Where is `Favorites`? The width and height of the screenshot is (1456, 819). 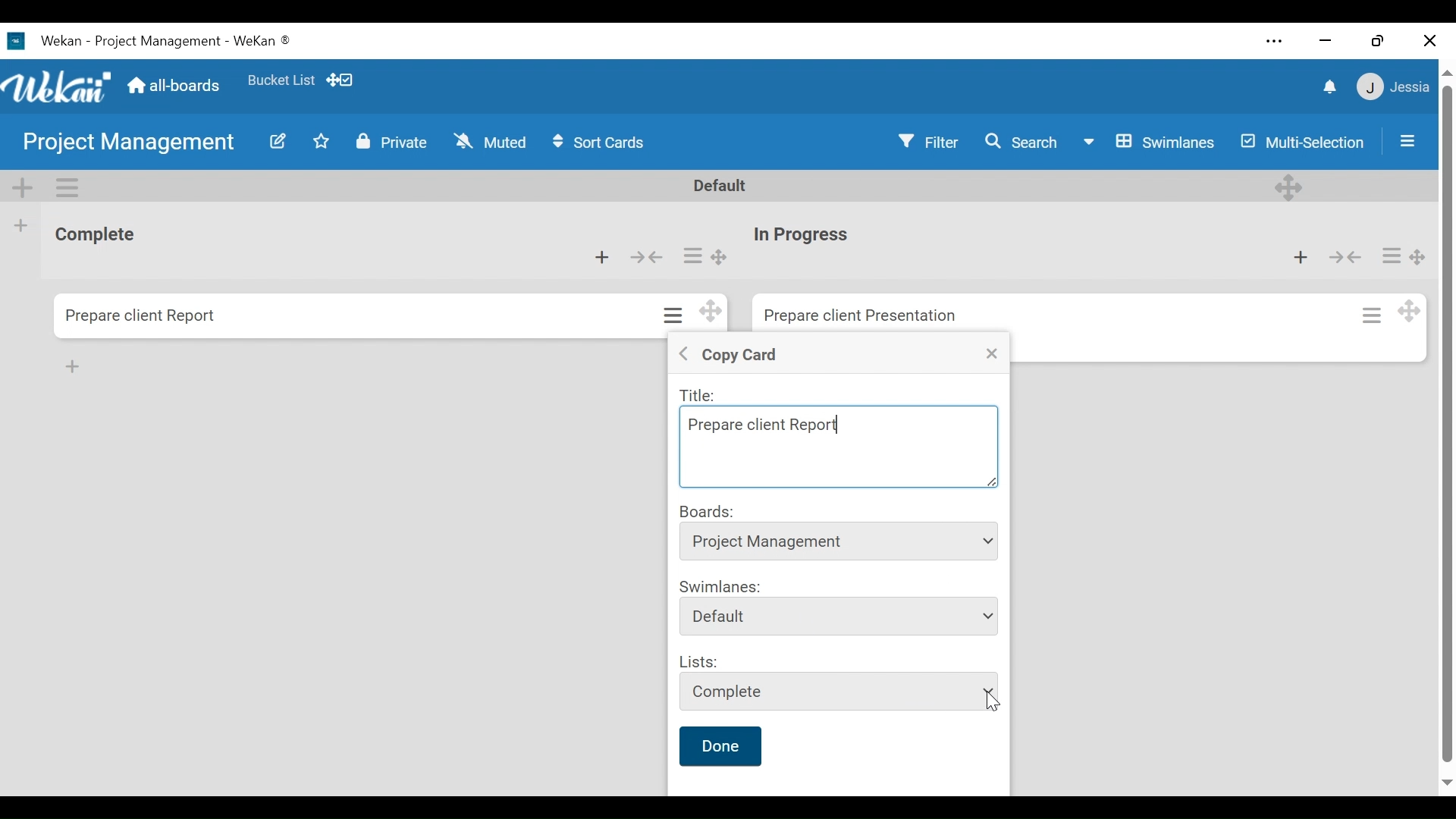 Favorites is located at coordinates (284, 80).